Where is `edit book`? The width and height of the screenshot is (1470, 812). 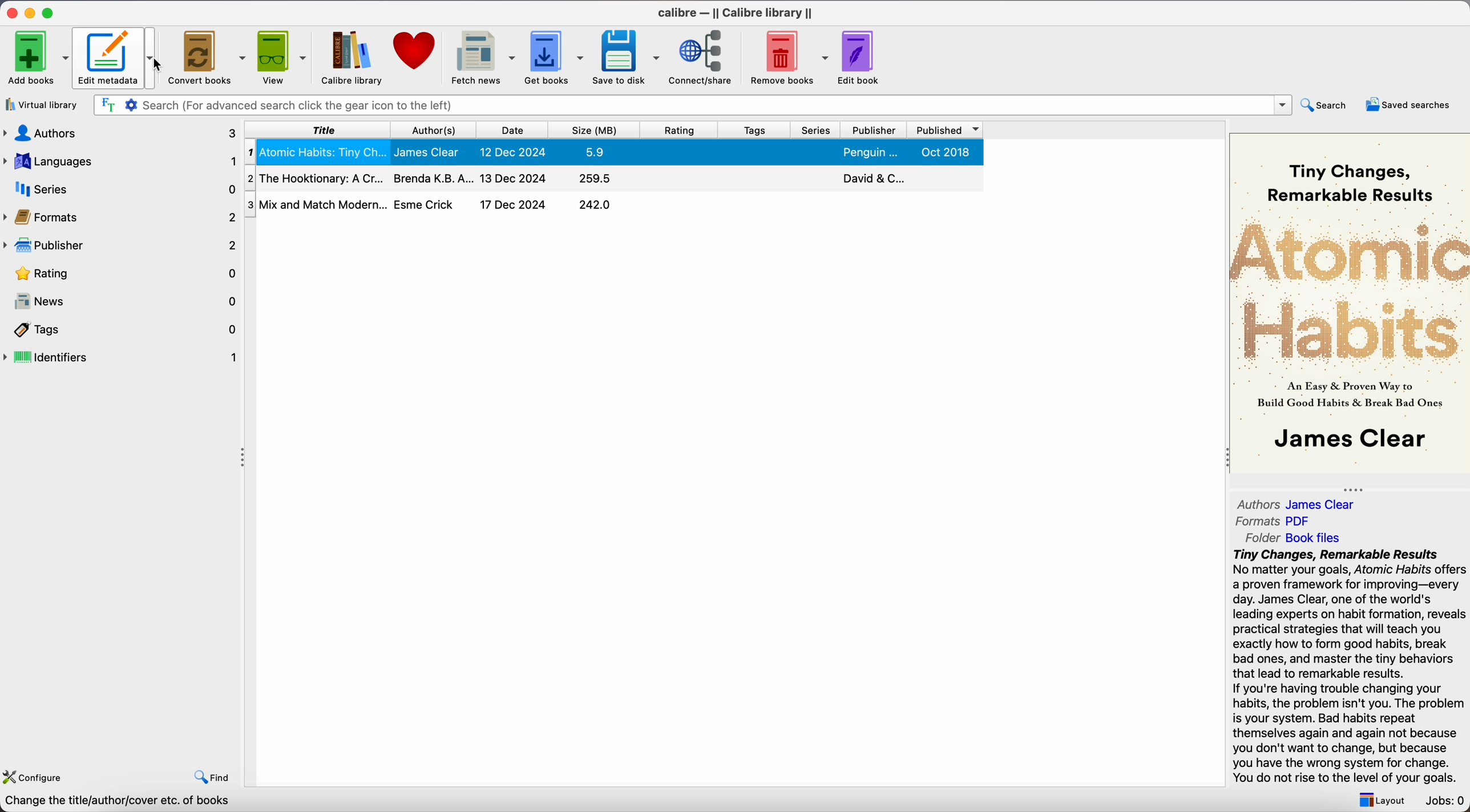 edit book is located at coordinates (860, 57).